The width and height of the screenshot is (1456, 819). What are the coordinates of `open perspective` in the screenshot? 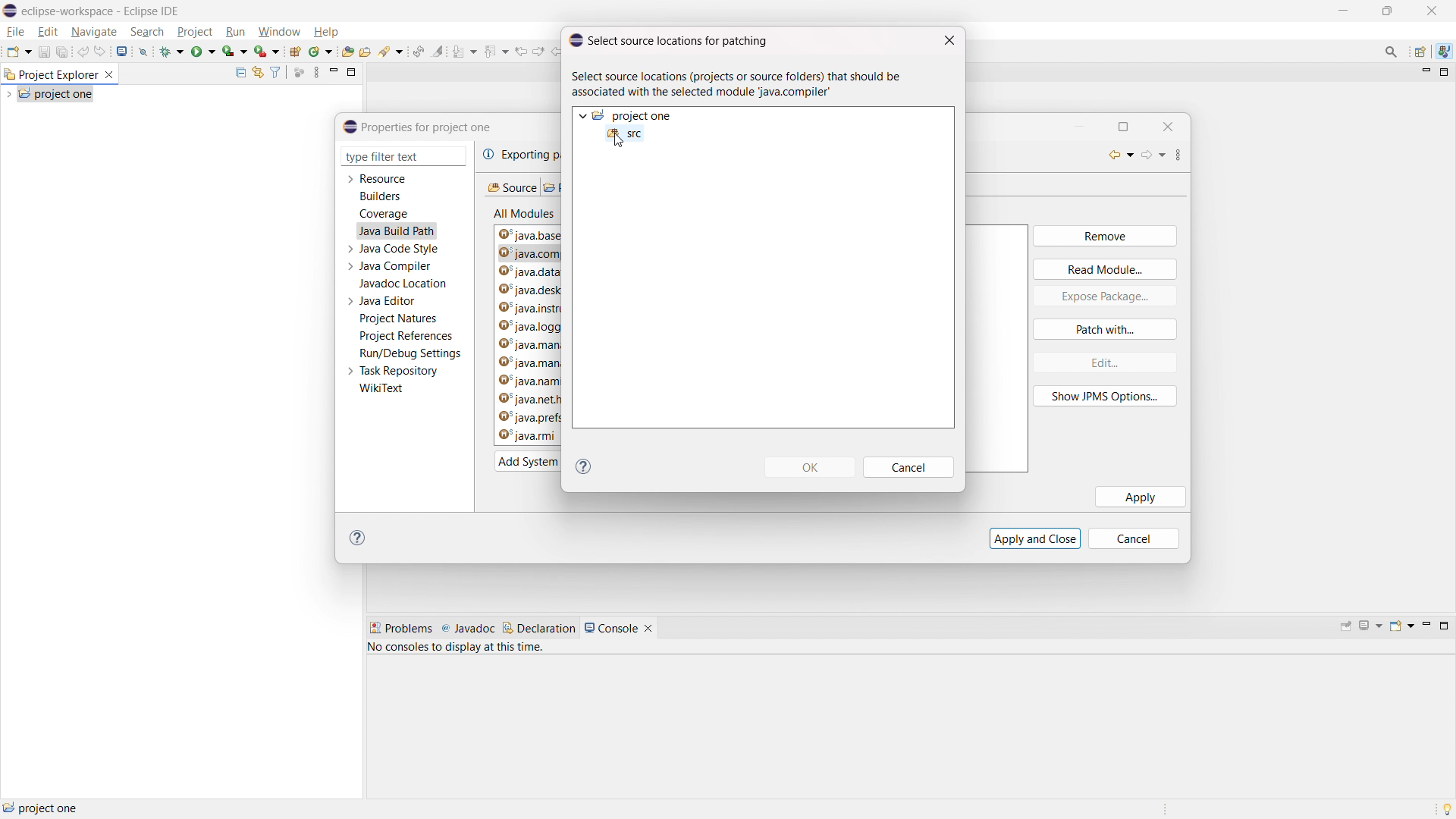 It's located at (1421, 52).